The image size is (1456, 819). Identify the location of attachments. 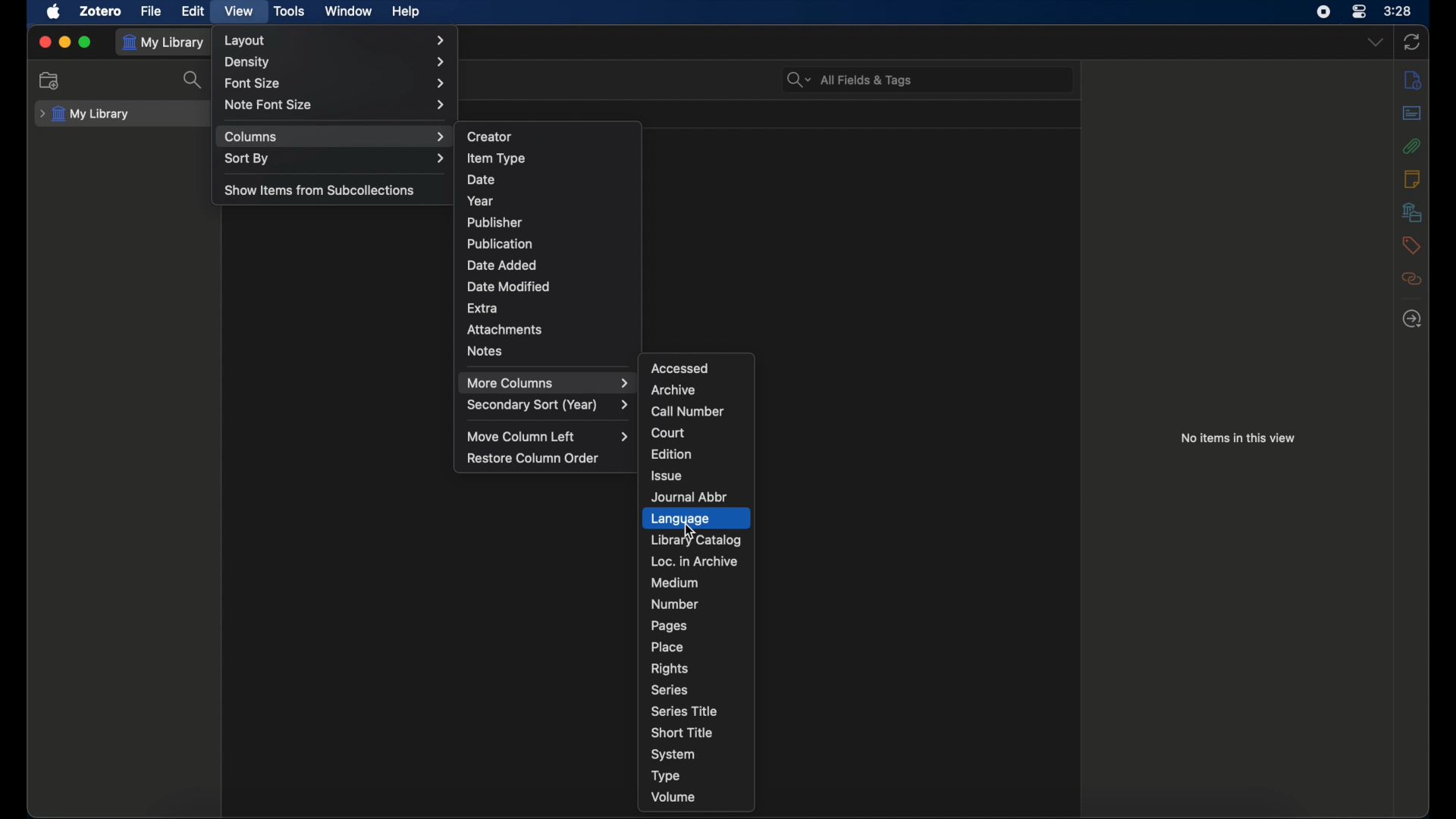
(1410, 146).